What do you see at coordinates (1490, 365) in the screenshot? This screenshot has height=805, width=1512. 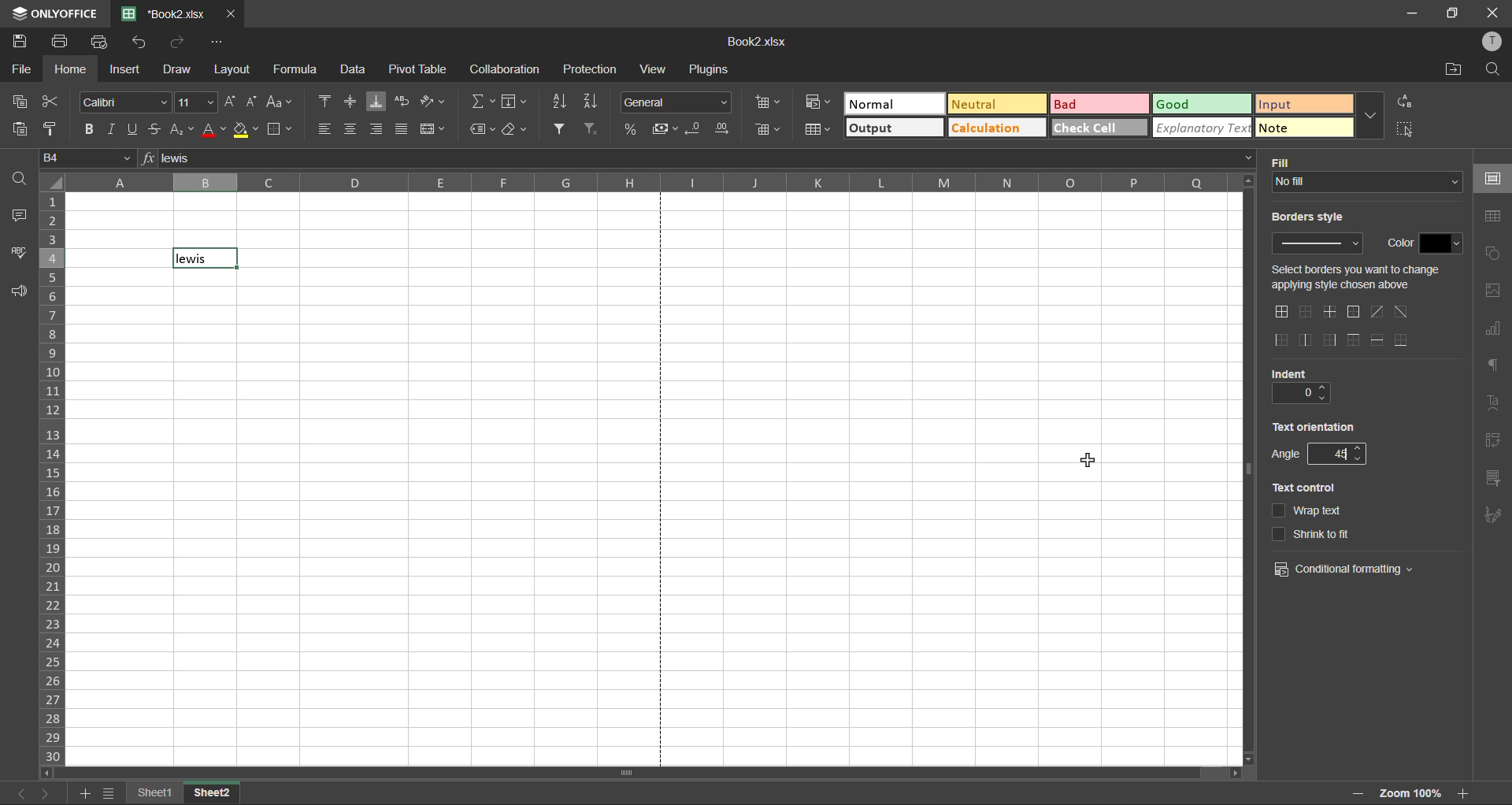 I see `paragraph` at bounding box center [1490, 365].